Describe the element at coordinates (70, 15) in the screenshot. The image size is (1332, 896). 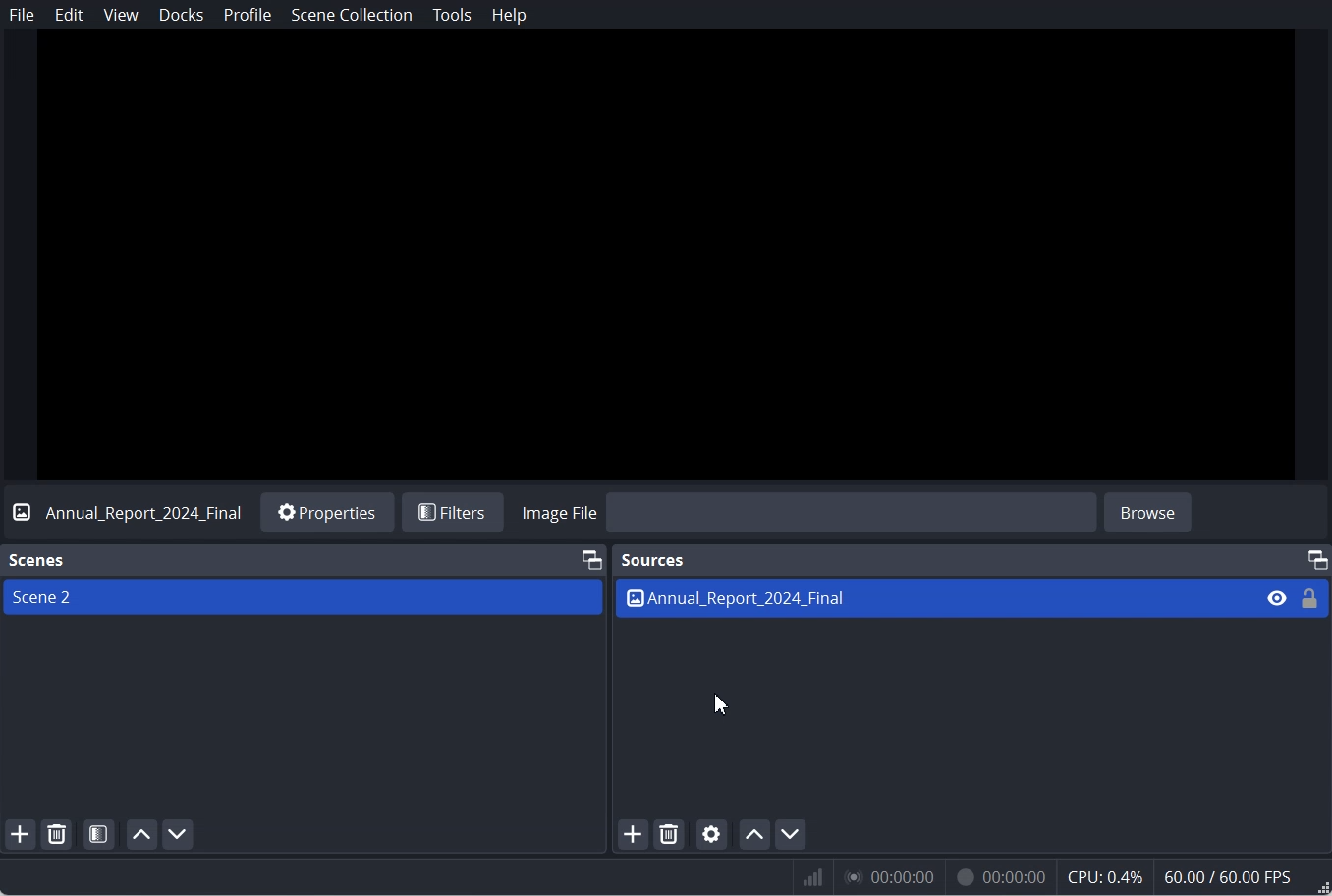
I see `Edit` at that location.